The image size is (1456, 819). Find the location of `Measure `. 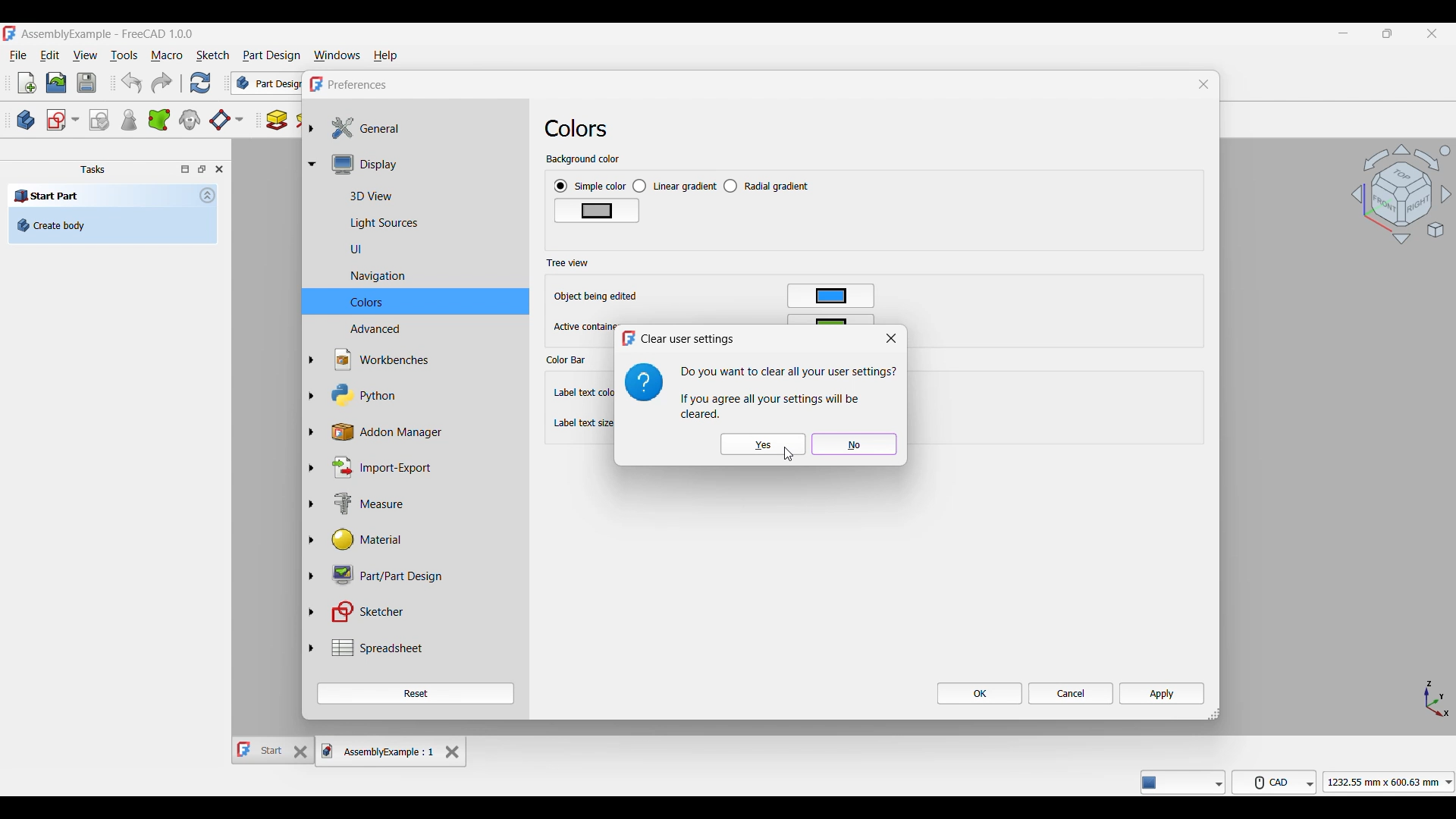

Measure  is located at coordinates (356, 503).